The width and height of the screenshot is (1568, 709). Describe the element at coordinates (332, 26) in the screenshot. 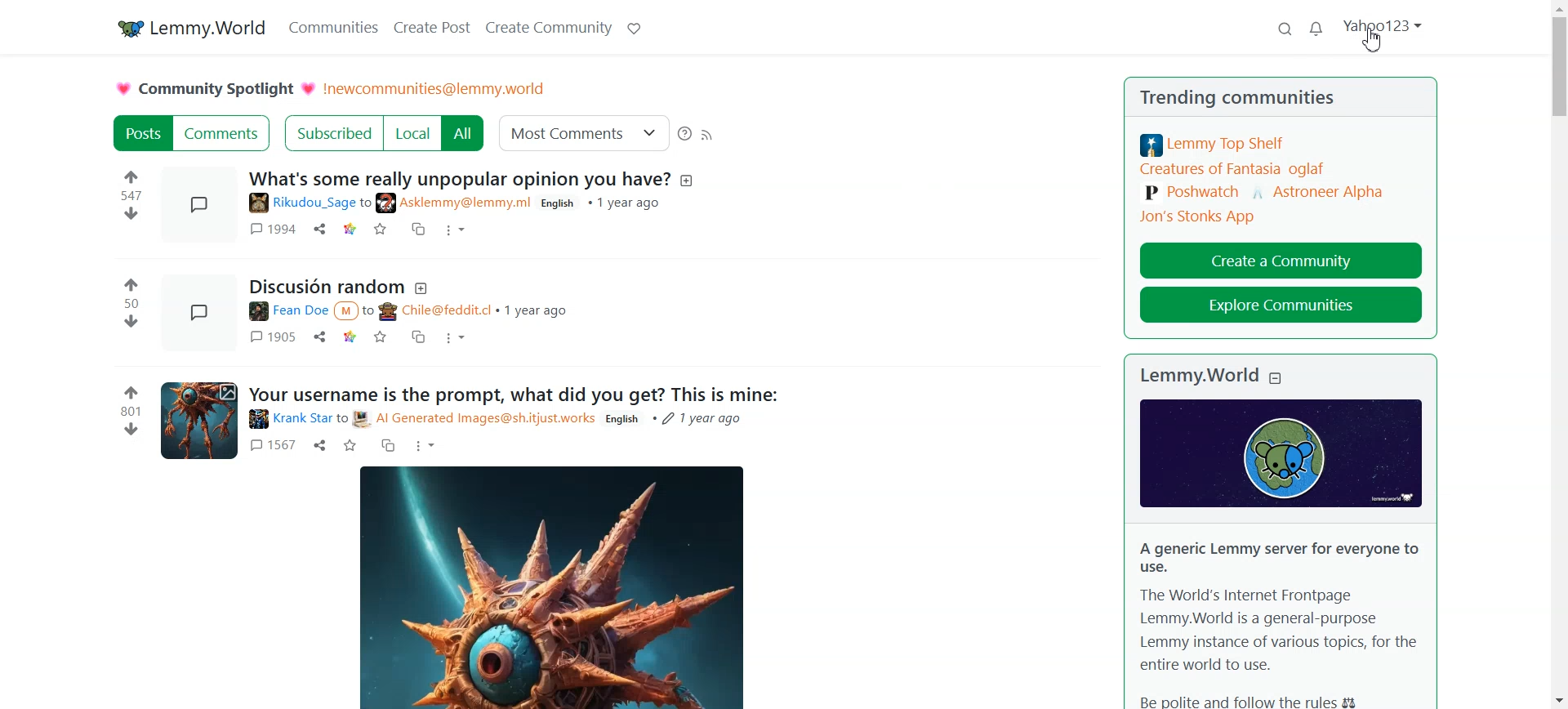

I see `Communities` at that location.